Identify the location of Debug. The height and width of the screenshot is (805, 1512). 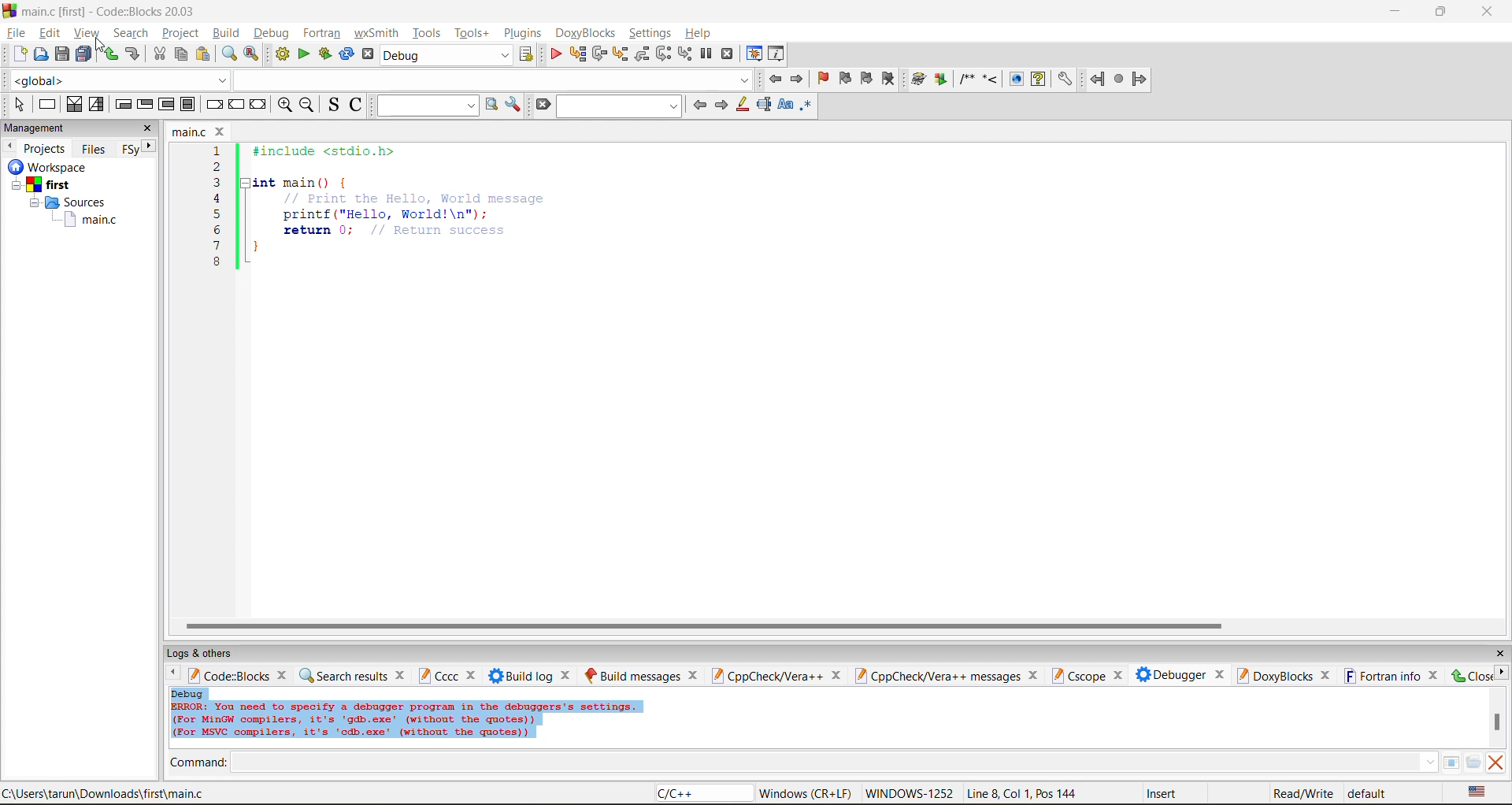
(447, 55).